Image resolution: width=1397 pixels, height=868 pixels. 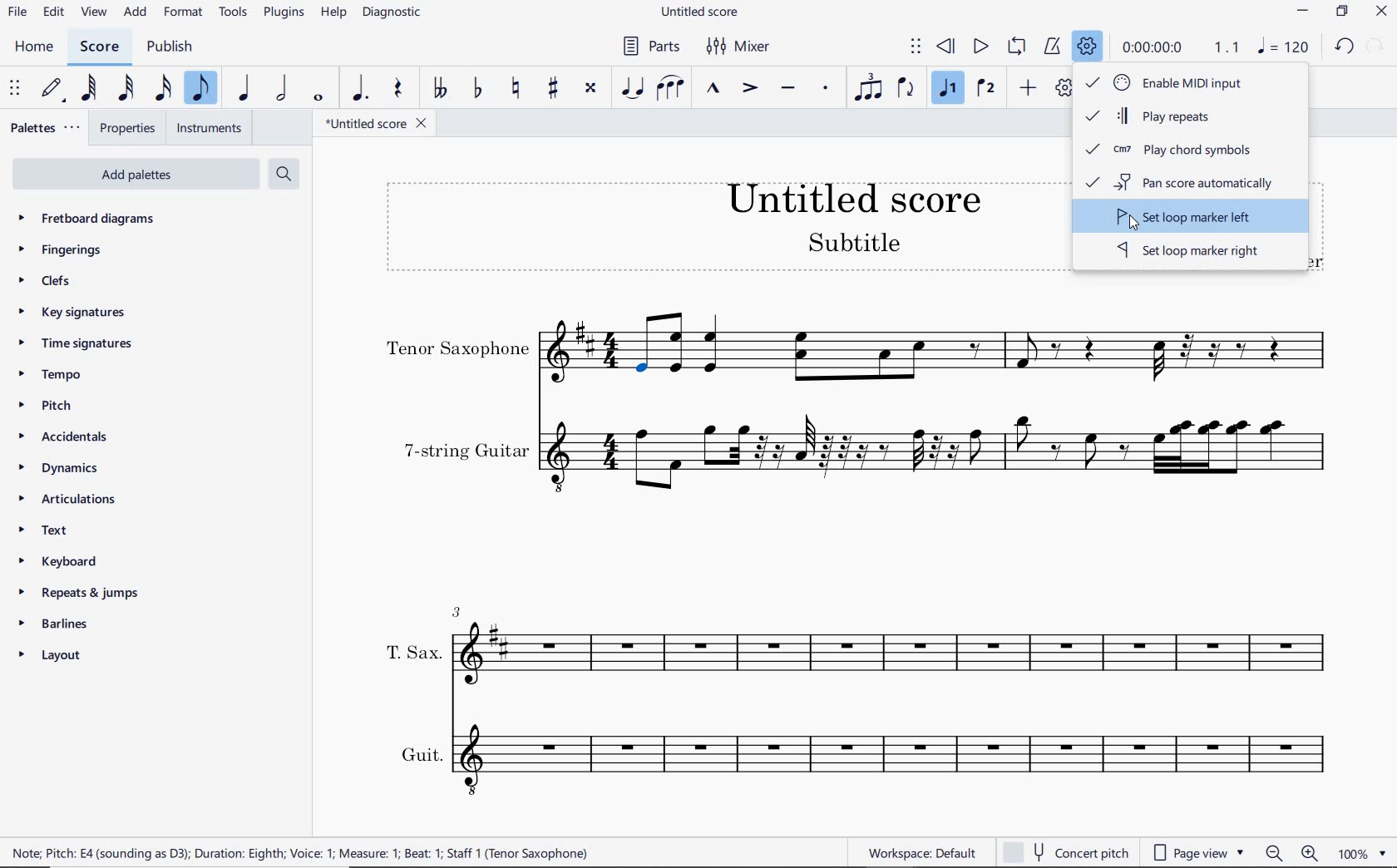 What do you see at coordinates (244, 88) in the screenshot?
I see `QUARTER NOTE` at bounding box center [244, 88].